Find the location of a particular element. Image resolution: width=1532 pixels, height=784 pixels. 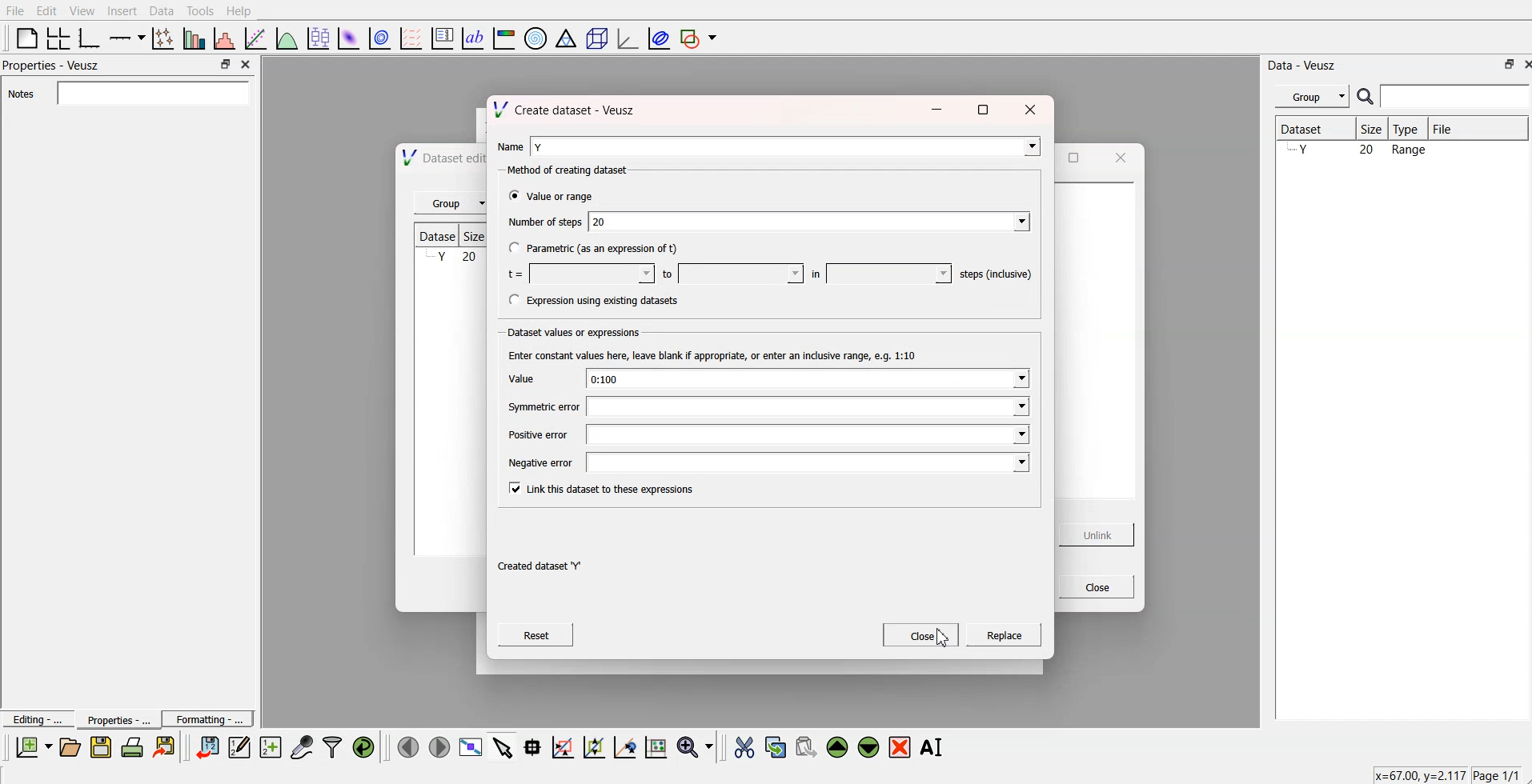

field is located at coordinates (808, 408).